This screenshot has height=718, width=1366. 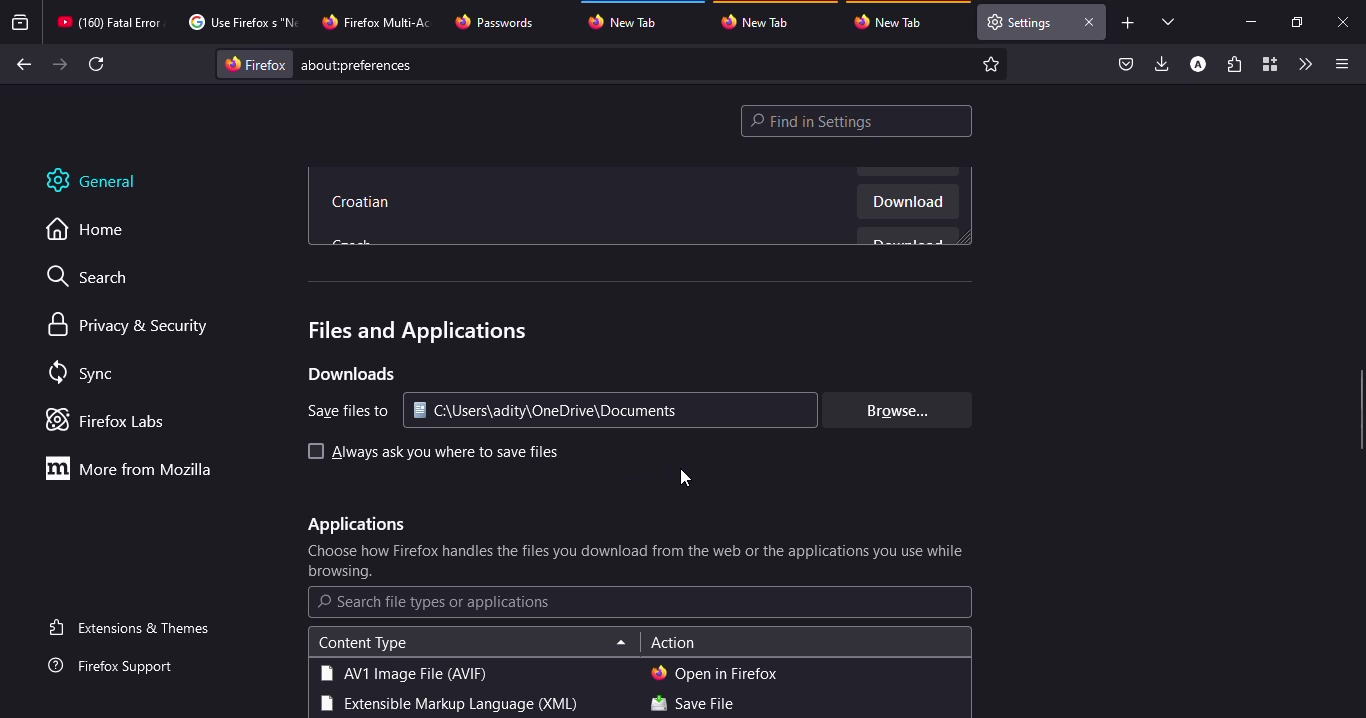 What do you see at coordinates (614, 64) in the screenshot?
I see `about:preferences` at bounding box center [614, 64].